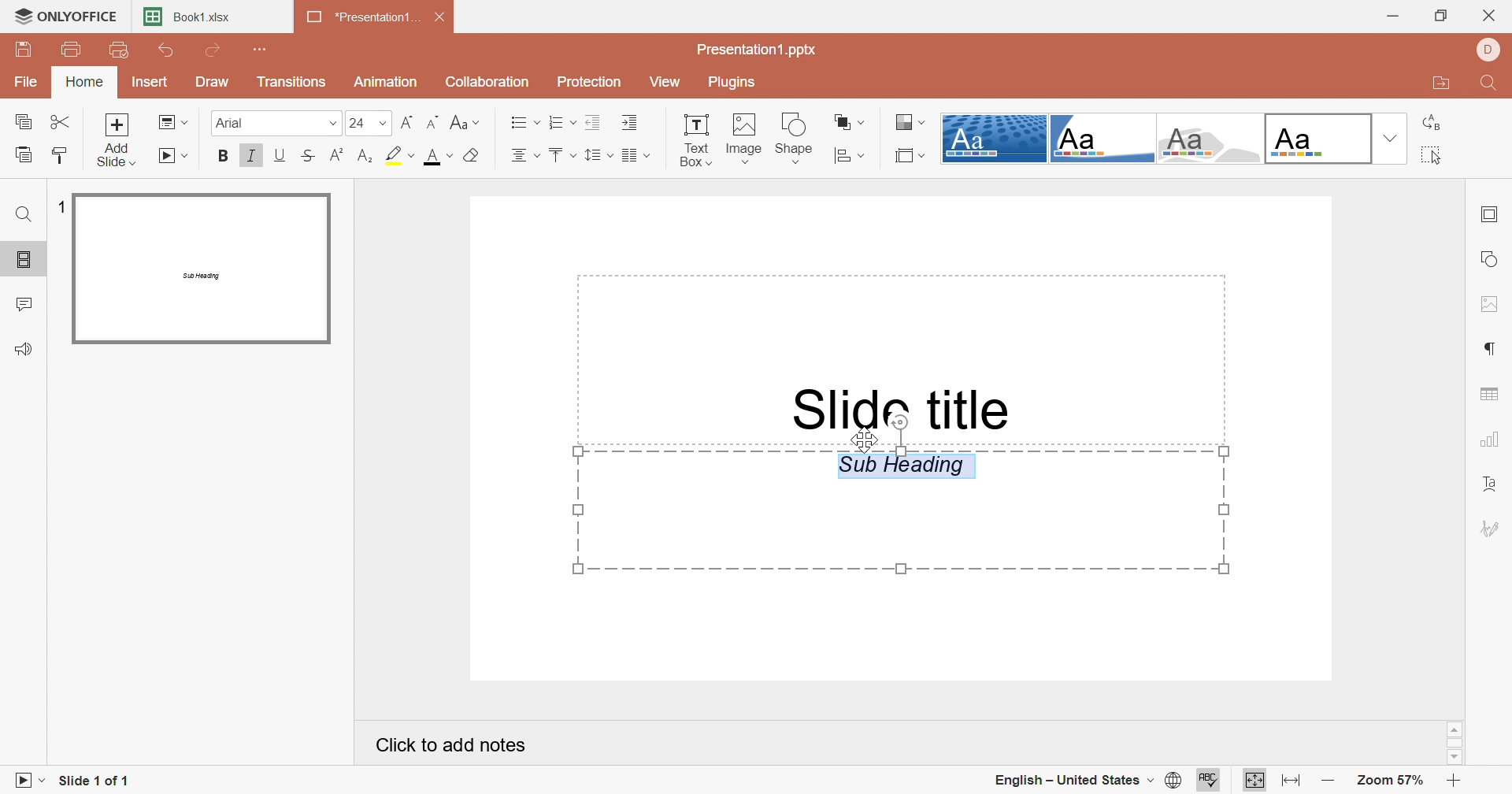 This screenshot has width=1512, height=794. Describe the element at coordinates (472, 154) in the screenshot. I see `Clear` at that location.